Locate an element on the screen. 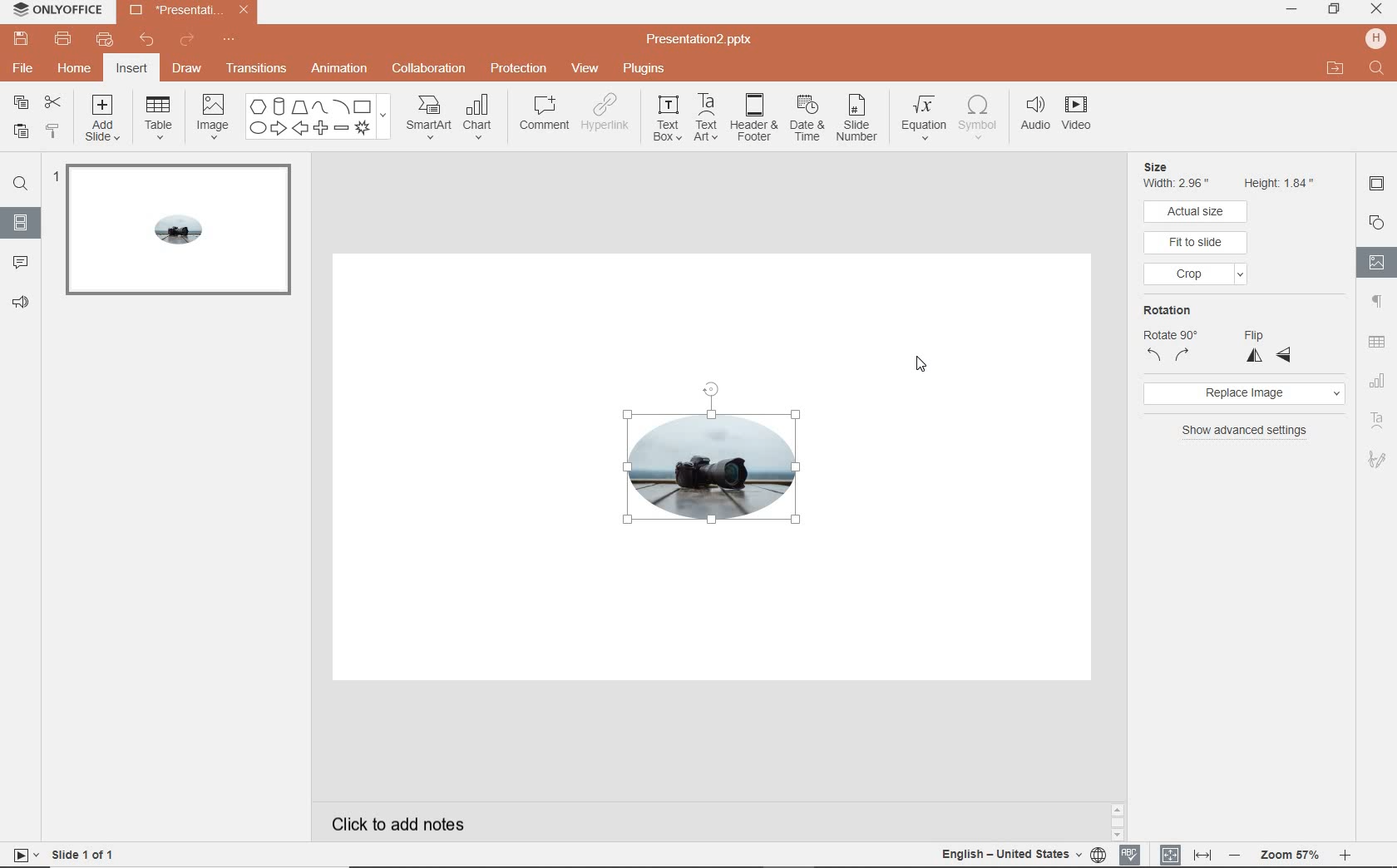  copy style is located at coordinates (54, 131).